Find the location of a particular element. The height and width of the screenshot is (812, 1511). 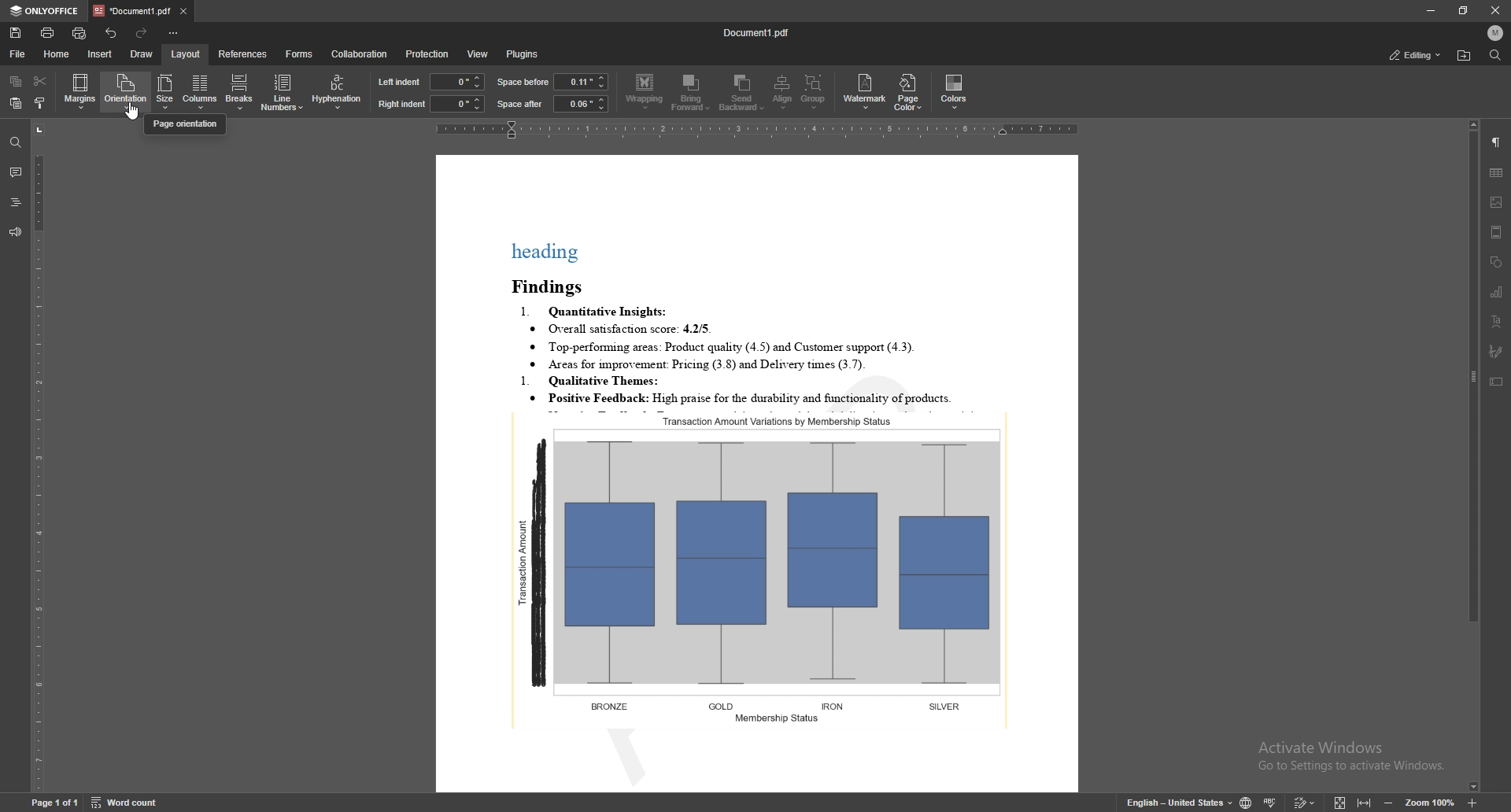

layout is located at coordinates (187, 54).